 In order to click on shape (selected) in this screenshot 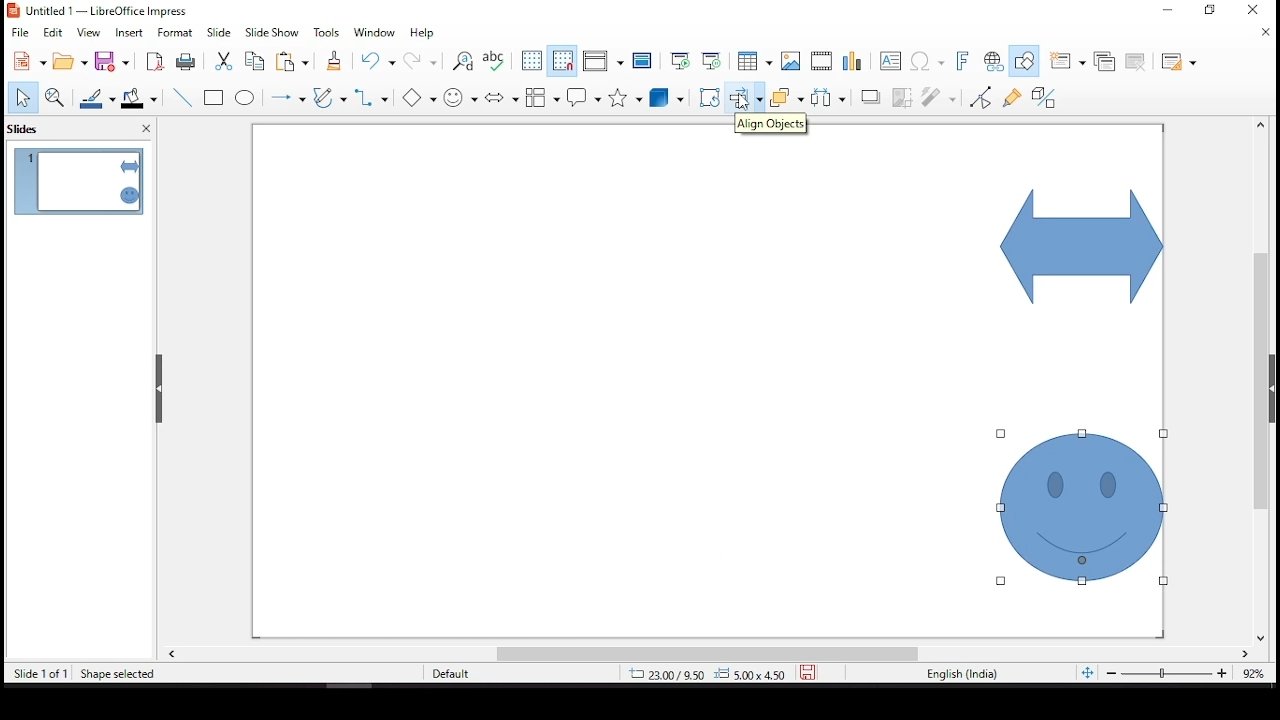, I will do `click(1079, 506)`.